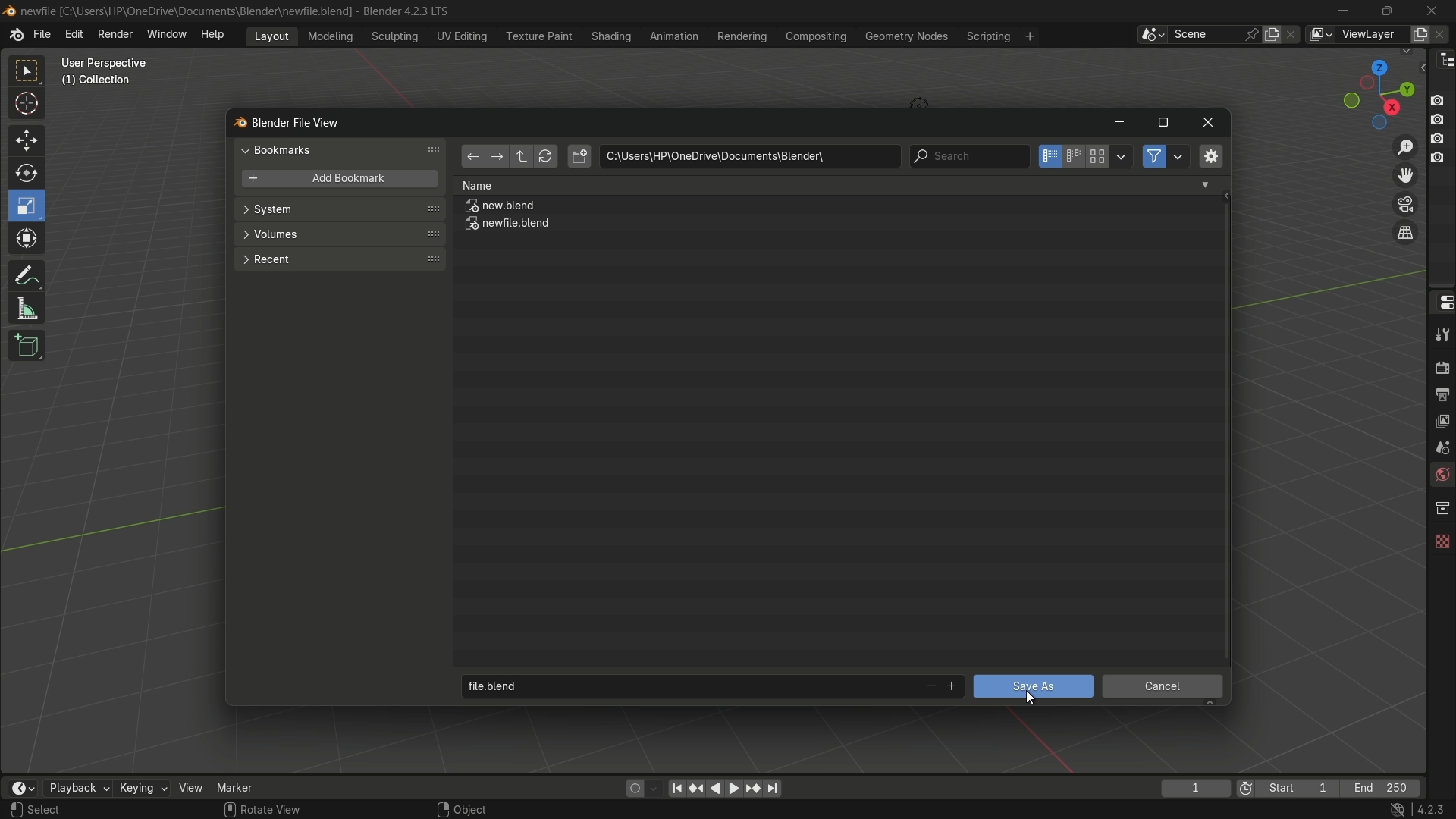 The image size is (1456, 819). What do you see at coordinates (28, 240) in the screenshot?
I see `transform` at bounding box center [28, 240].